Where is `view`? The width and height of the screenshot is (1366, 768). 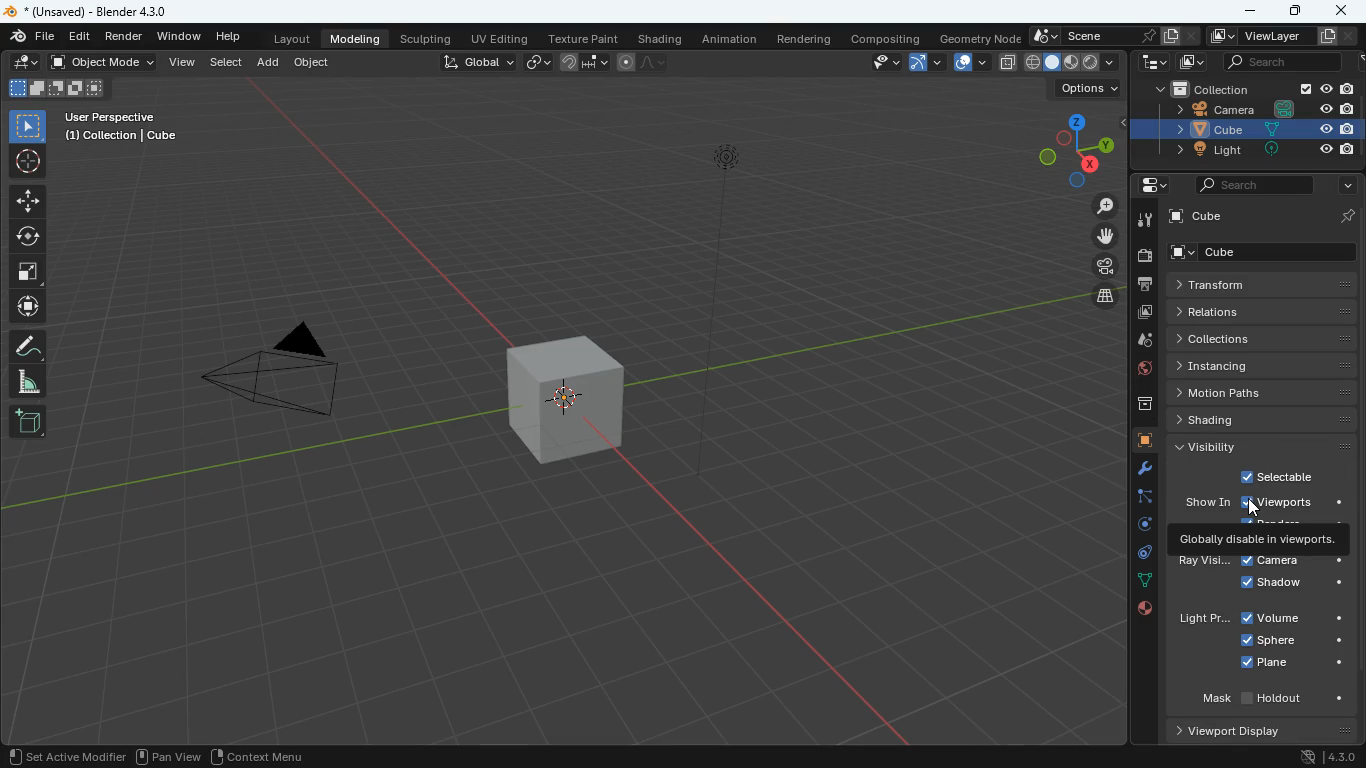
view is located at coordinates (882, 63).